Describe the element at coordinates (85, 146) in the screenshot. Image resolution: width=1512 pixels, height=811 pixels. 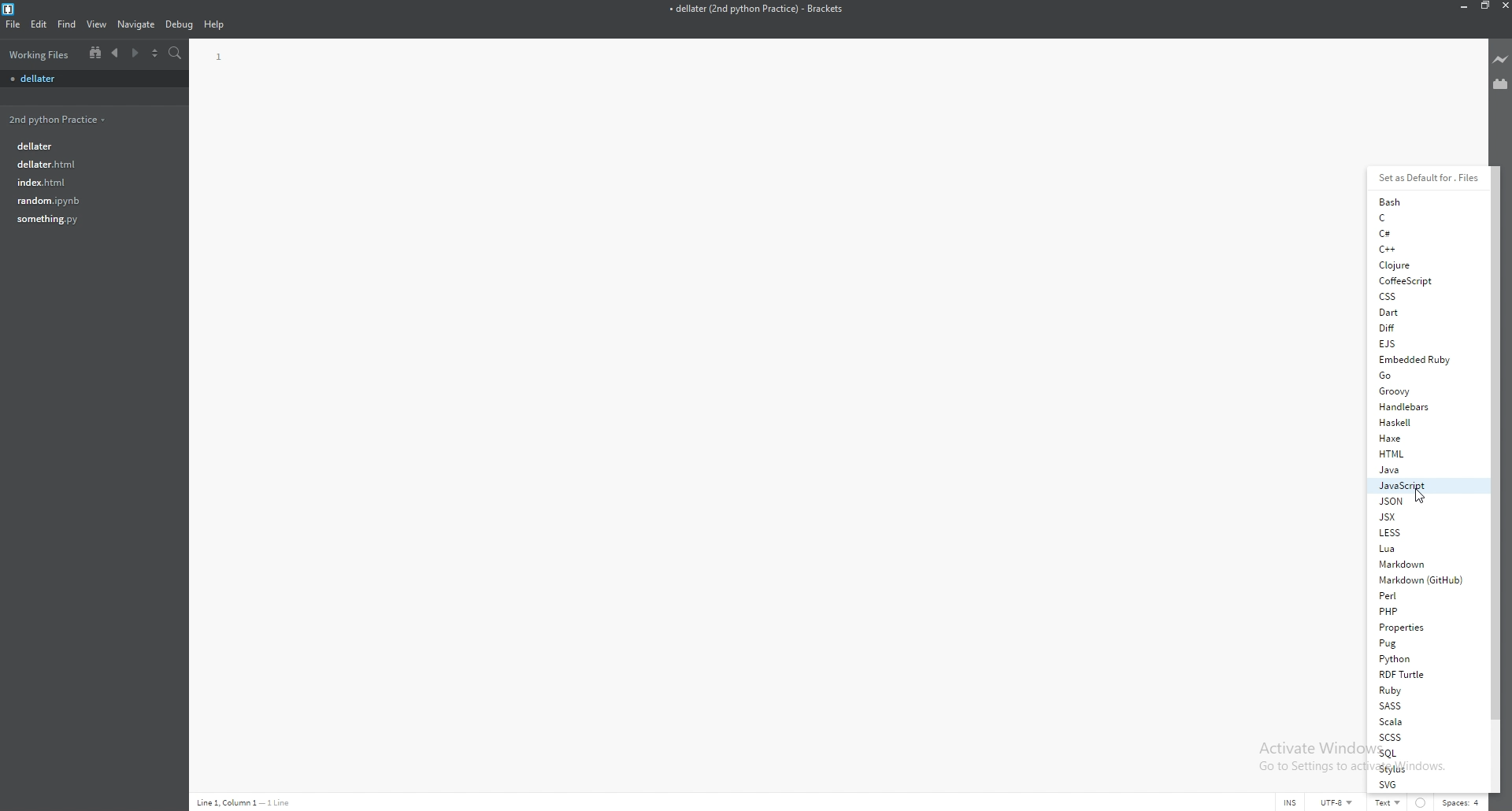
I see `file` at that location.